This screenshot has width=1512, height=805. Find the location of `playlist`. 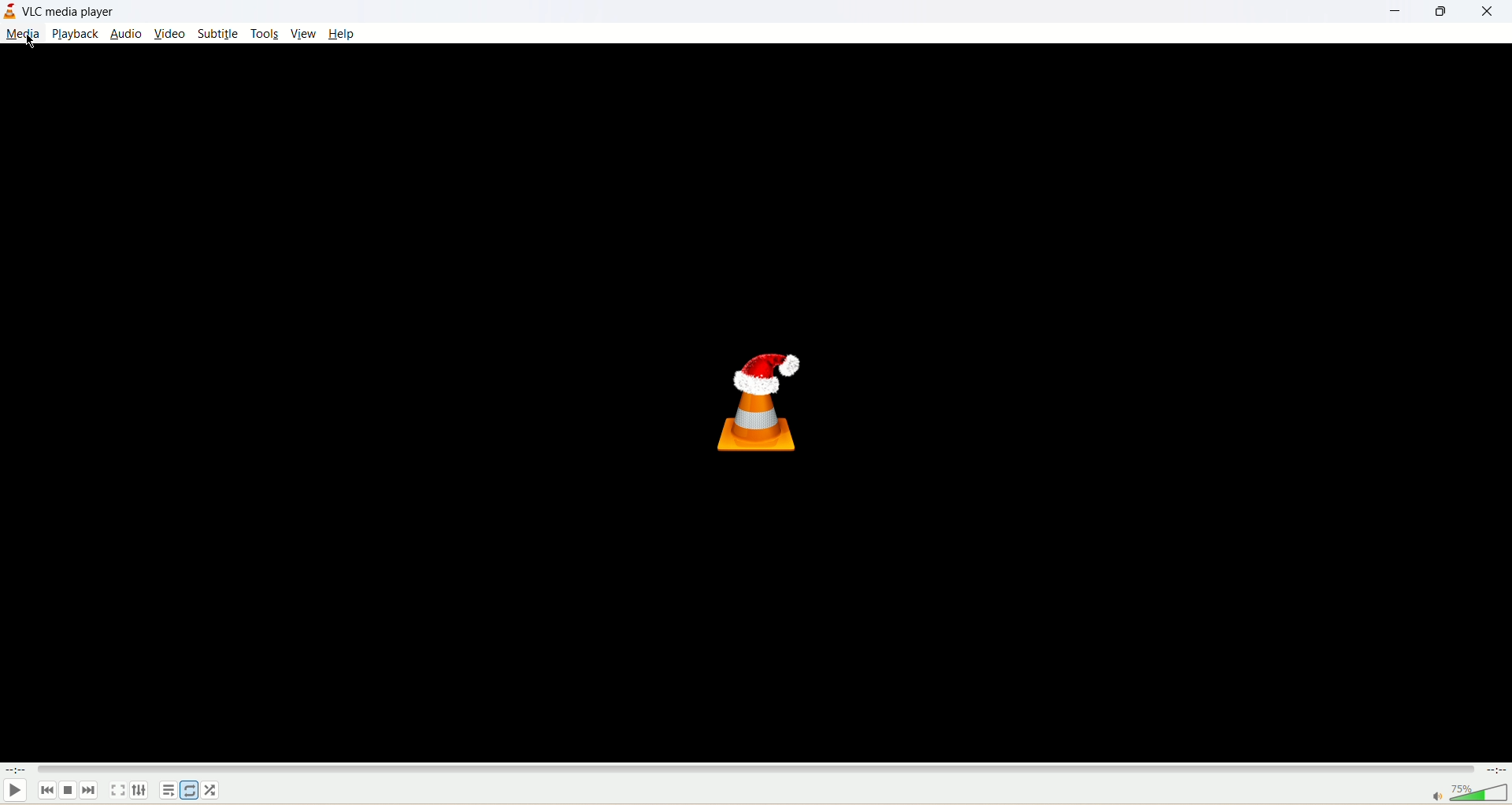

playlist is located at coordinates (169, 792).